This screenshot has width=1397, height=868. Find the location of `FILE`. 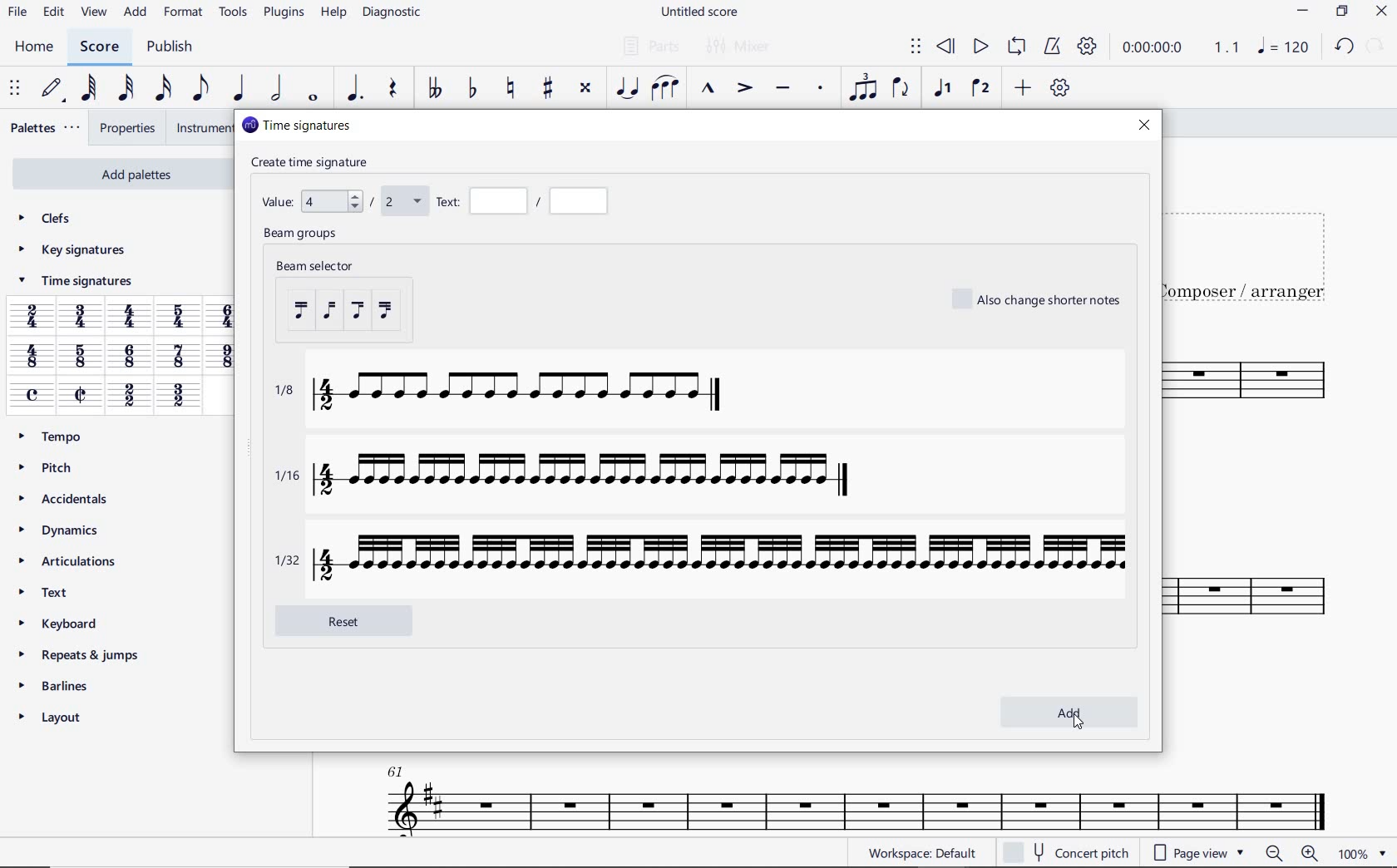

FILE is located at coordinates (17, 13).